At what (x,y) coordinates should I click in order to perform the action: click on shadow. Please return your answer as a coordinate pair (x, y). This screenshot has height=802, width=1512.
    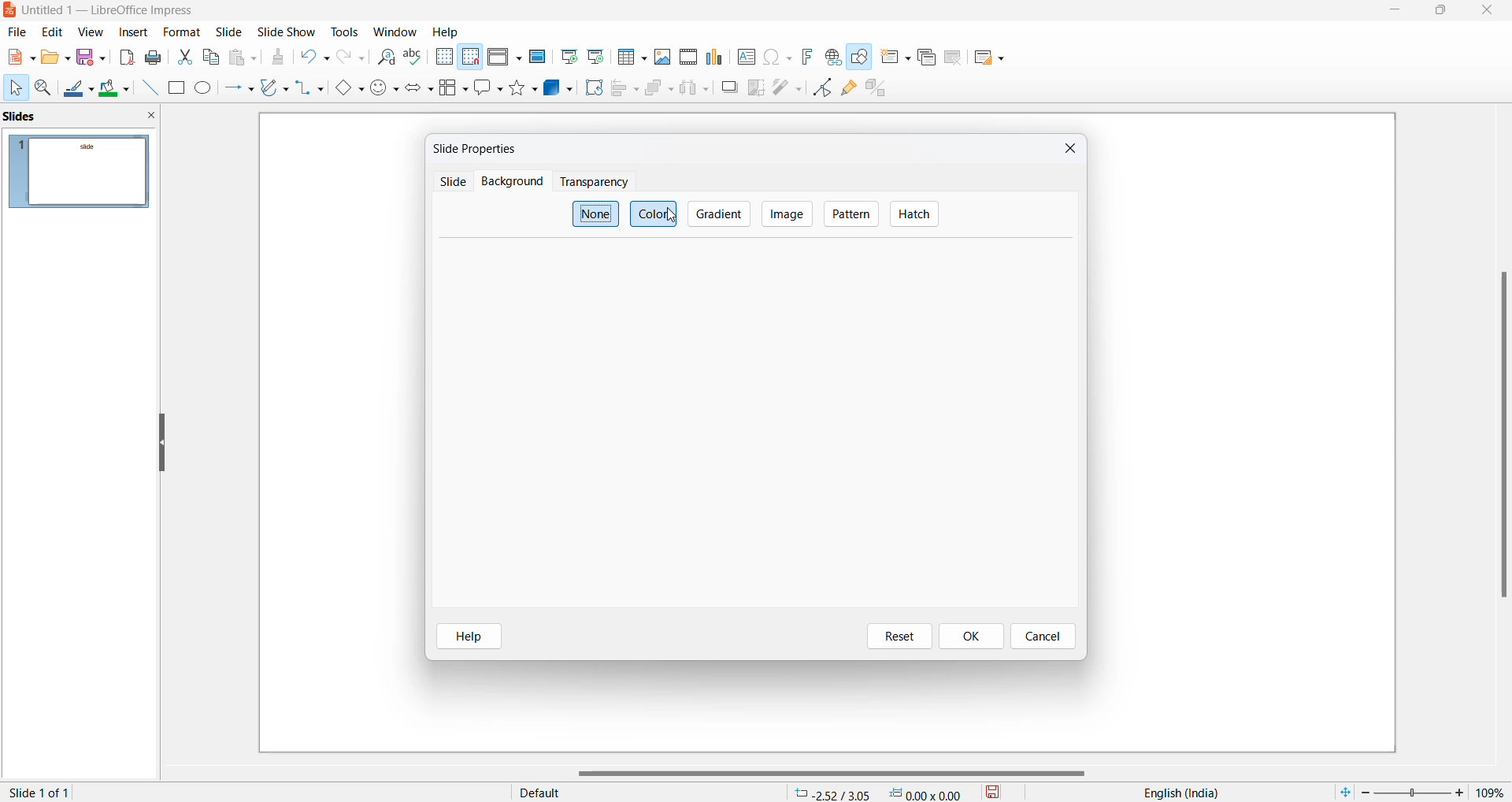
    Looking at the image, I should click on (729, 87).